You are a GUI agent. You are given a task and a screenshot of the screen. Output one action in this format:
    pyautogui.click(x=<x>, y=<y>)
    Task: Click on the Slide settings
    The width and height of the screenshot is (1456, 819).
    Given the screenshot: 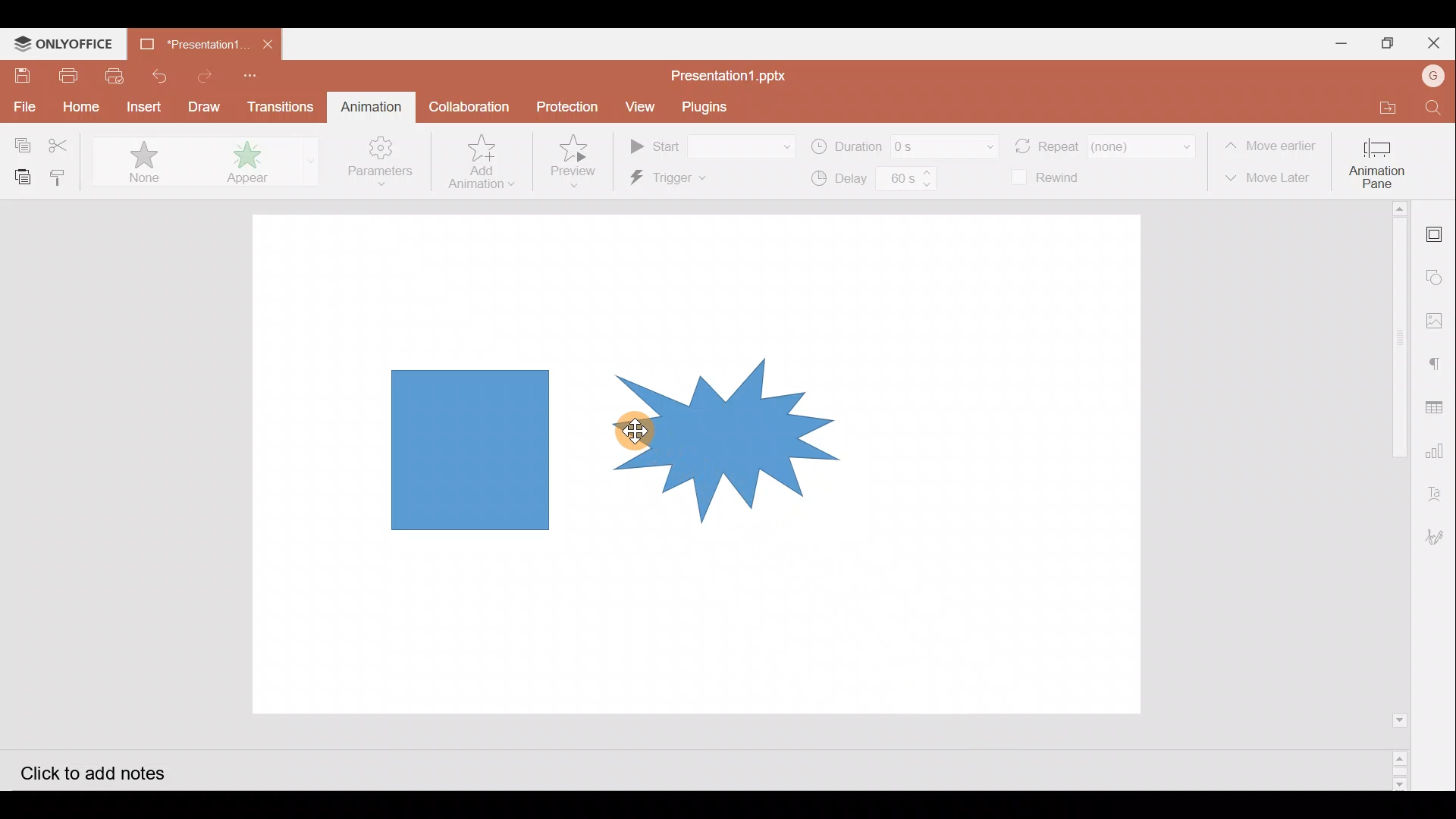 What is the action you would take?
    pyautogui.click(x=1436, y=232)
    